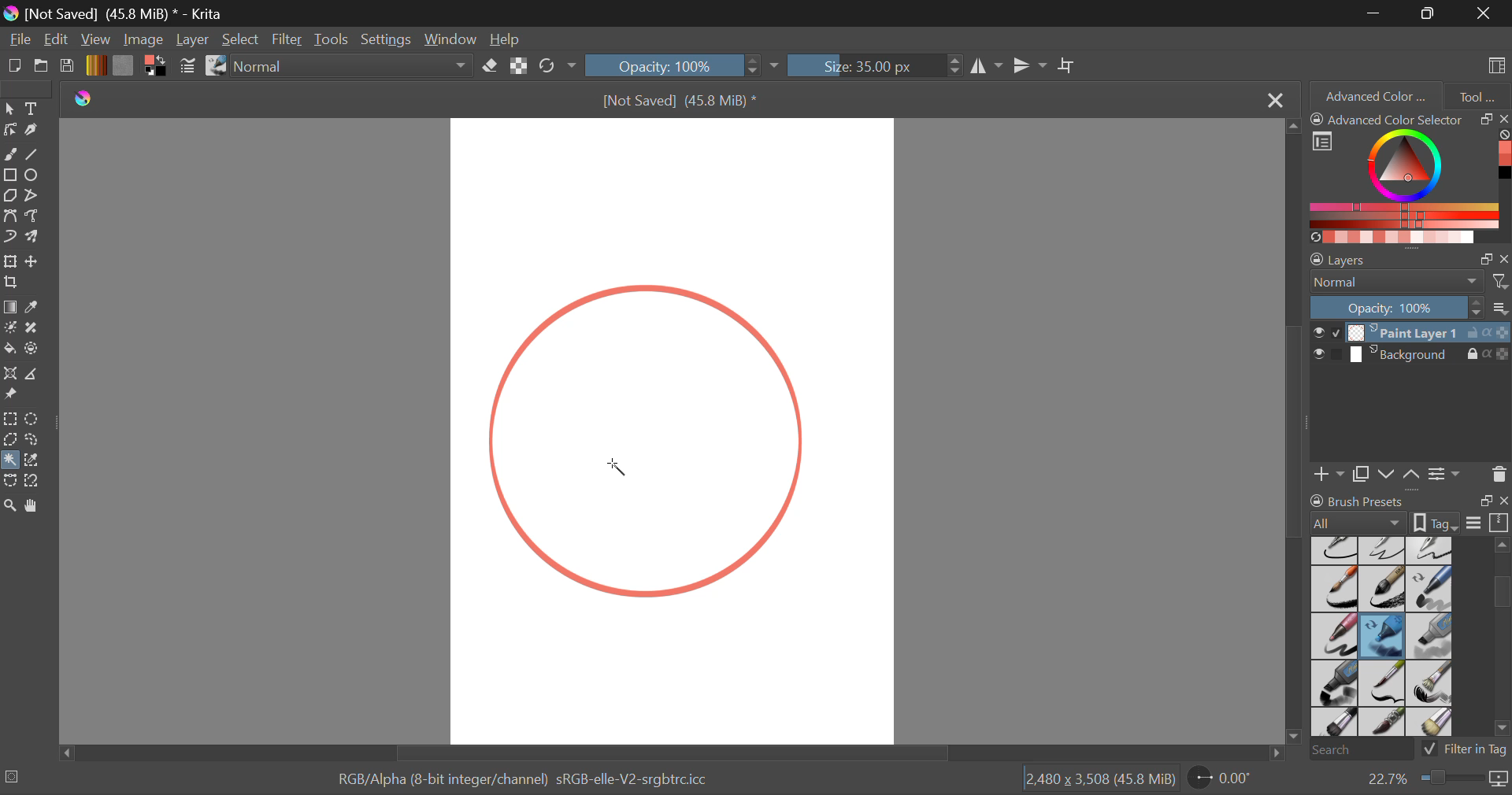 The image size is (1512, 795). What do you see at coordinates (9, 418) in the screenshot?
I see `Rectangle Selection Tool` at bounding box center [9, 418].